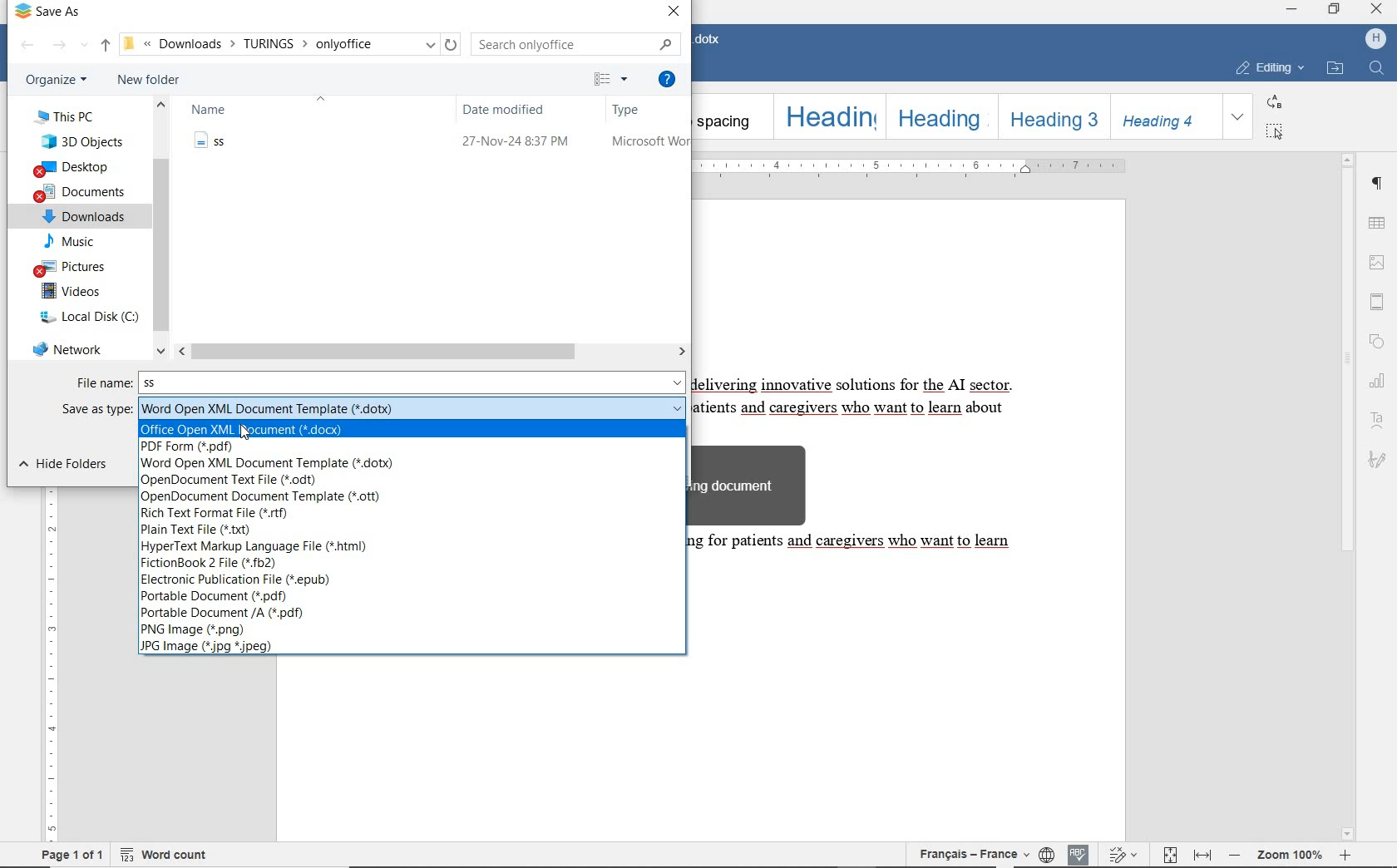 This screenshot has height=868, width=1397. What do you see at coordinates (87, 316) in the screenshot?
I see `LOCAL DISK (C)` at bounding box center [87, 316].